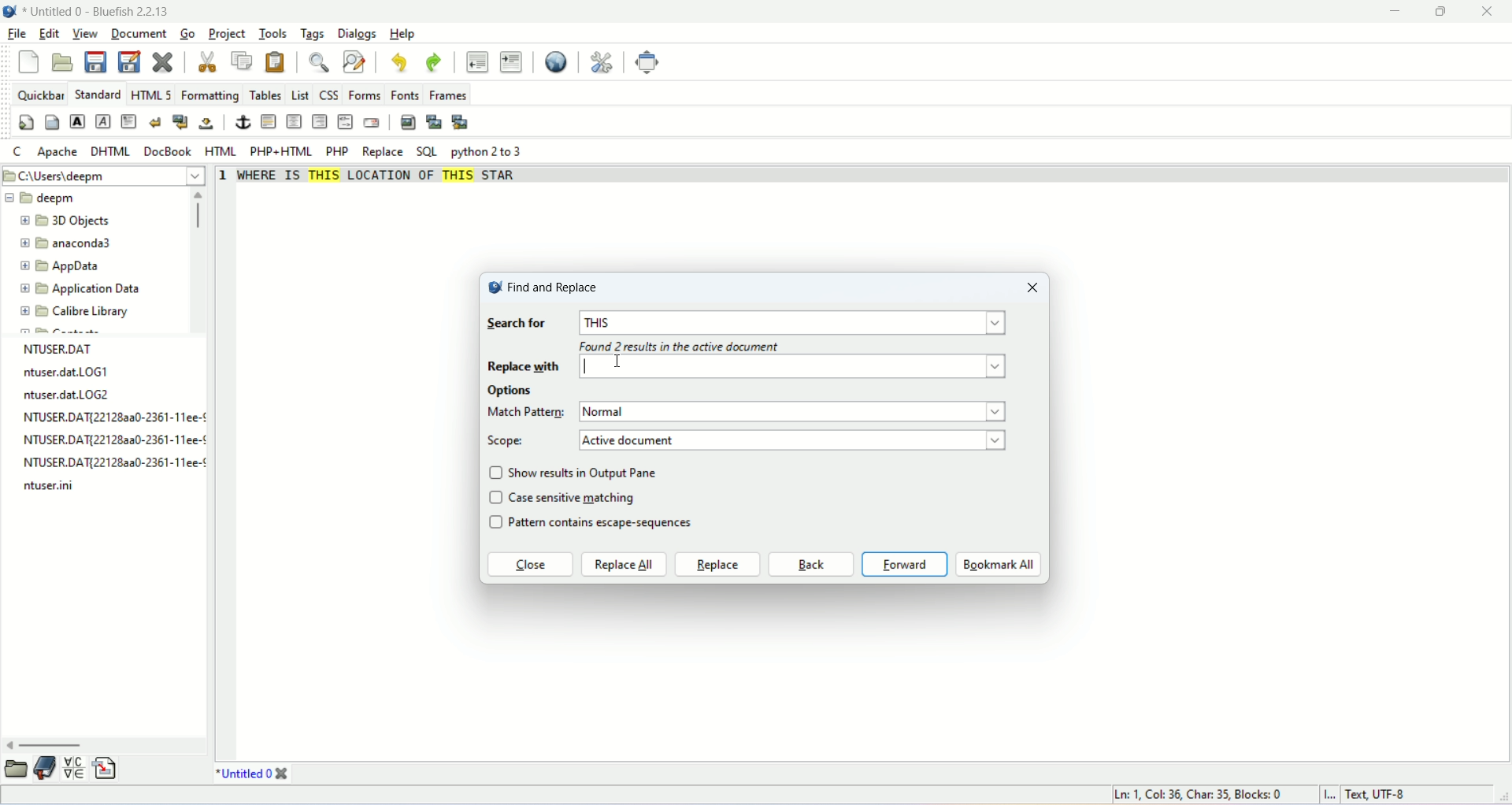 The height and width of the screenshot is (805, 1512). Describe the element at coordinates (810, 565) in the screenshot. I see `back` at that location.